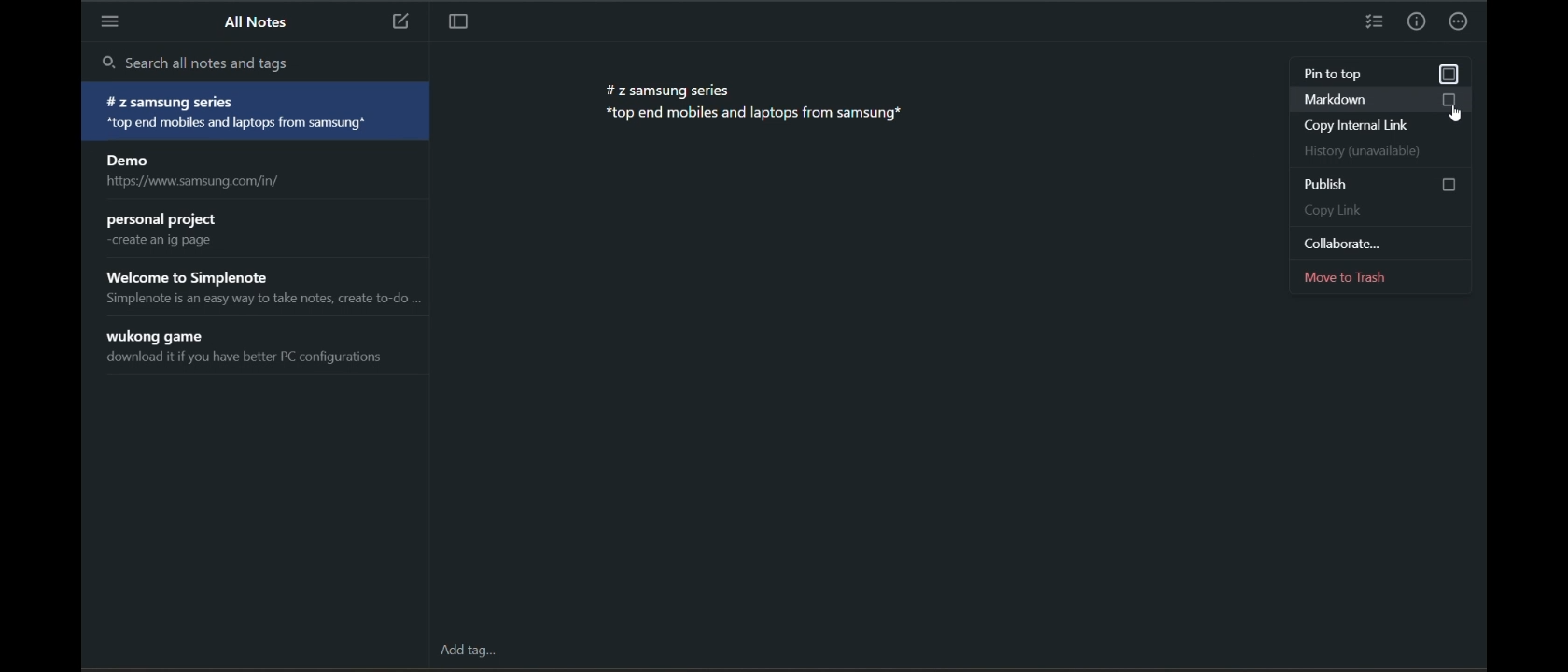  I want to click on actions, so click(1460, 22).